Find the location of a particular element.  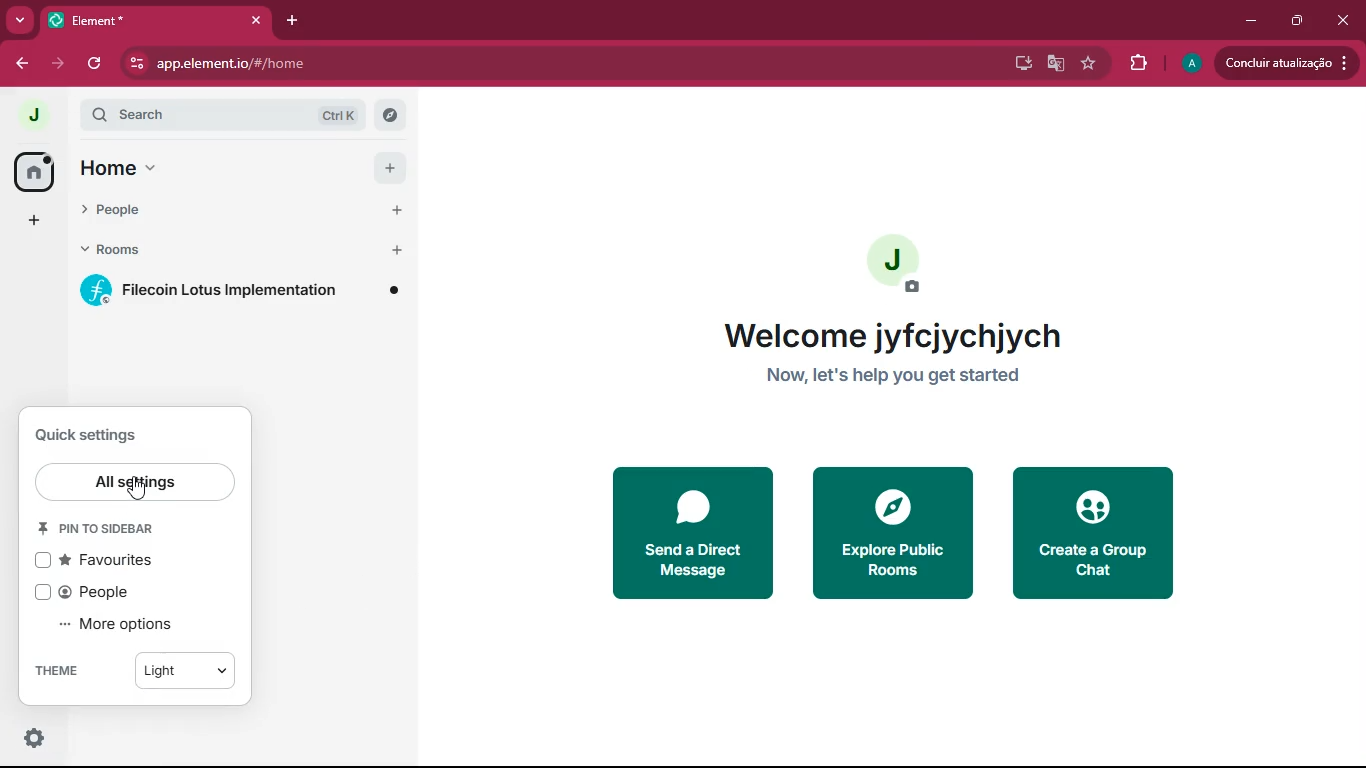

home is located at coordinates (27, 174).